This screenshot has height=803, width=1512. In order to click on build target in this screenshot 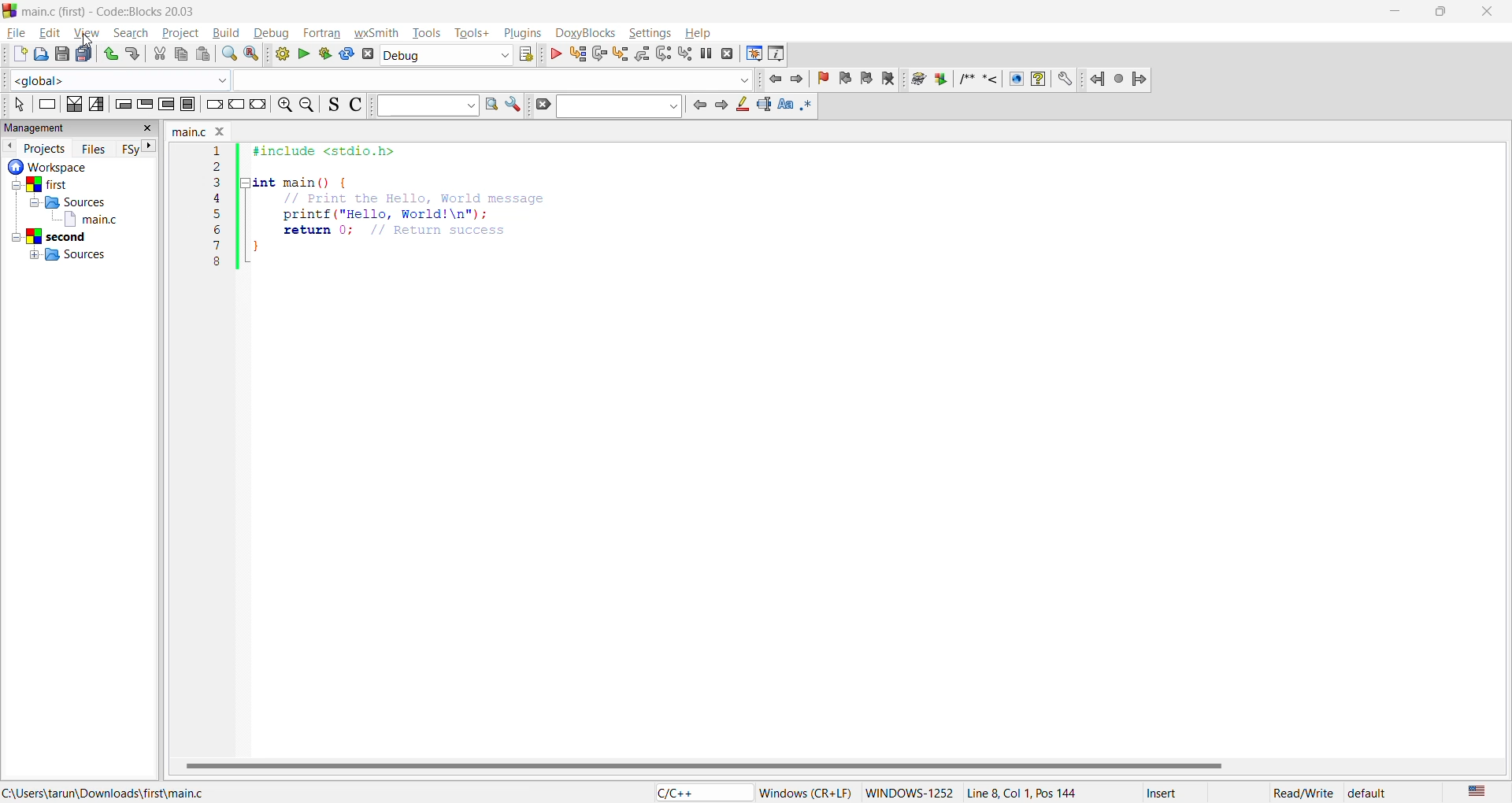, I will do `click(447, 56)`.